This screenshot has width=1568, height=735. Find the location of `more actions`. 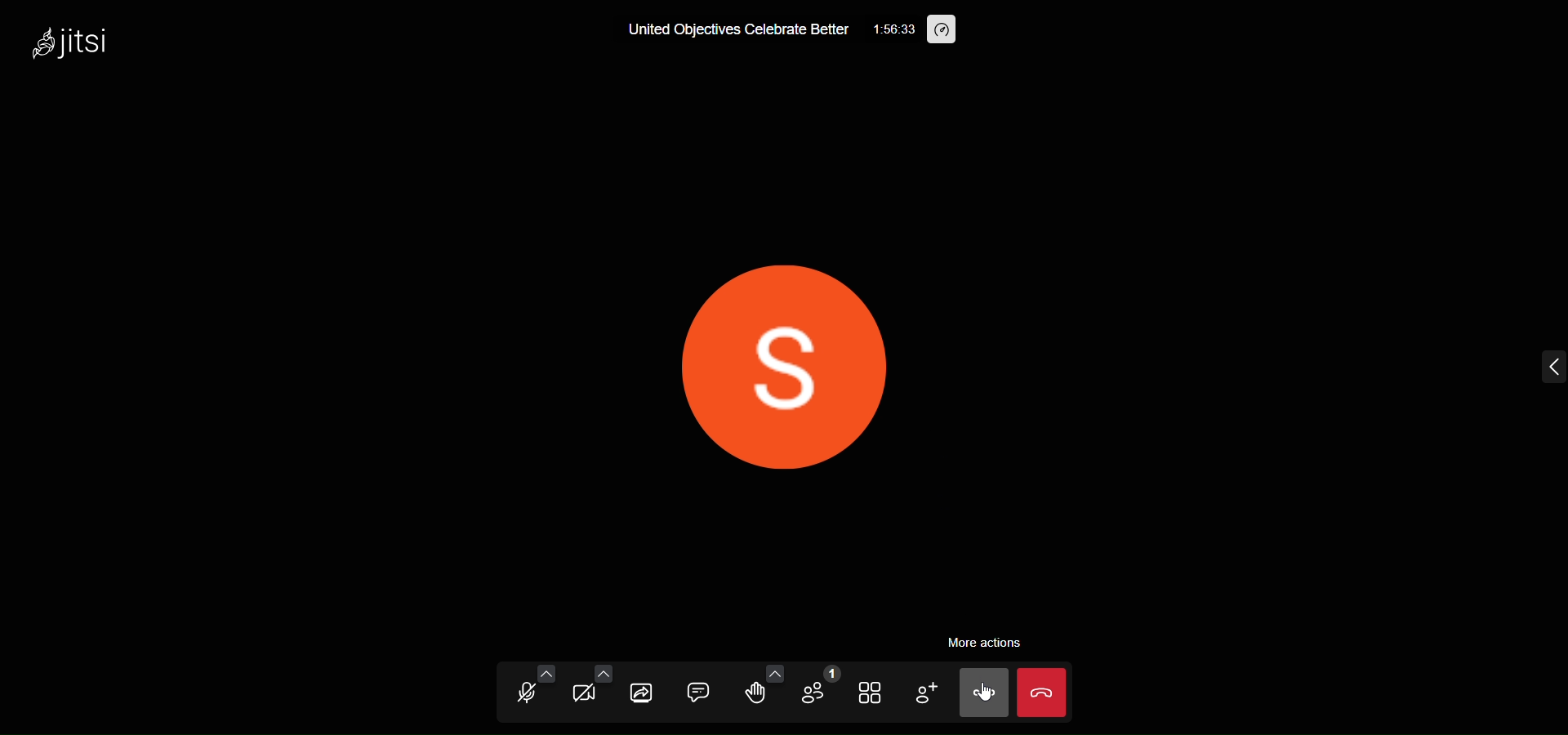

more actions is located at coordinates (983, 635).